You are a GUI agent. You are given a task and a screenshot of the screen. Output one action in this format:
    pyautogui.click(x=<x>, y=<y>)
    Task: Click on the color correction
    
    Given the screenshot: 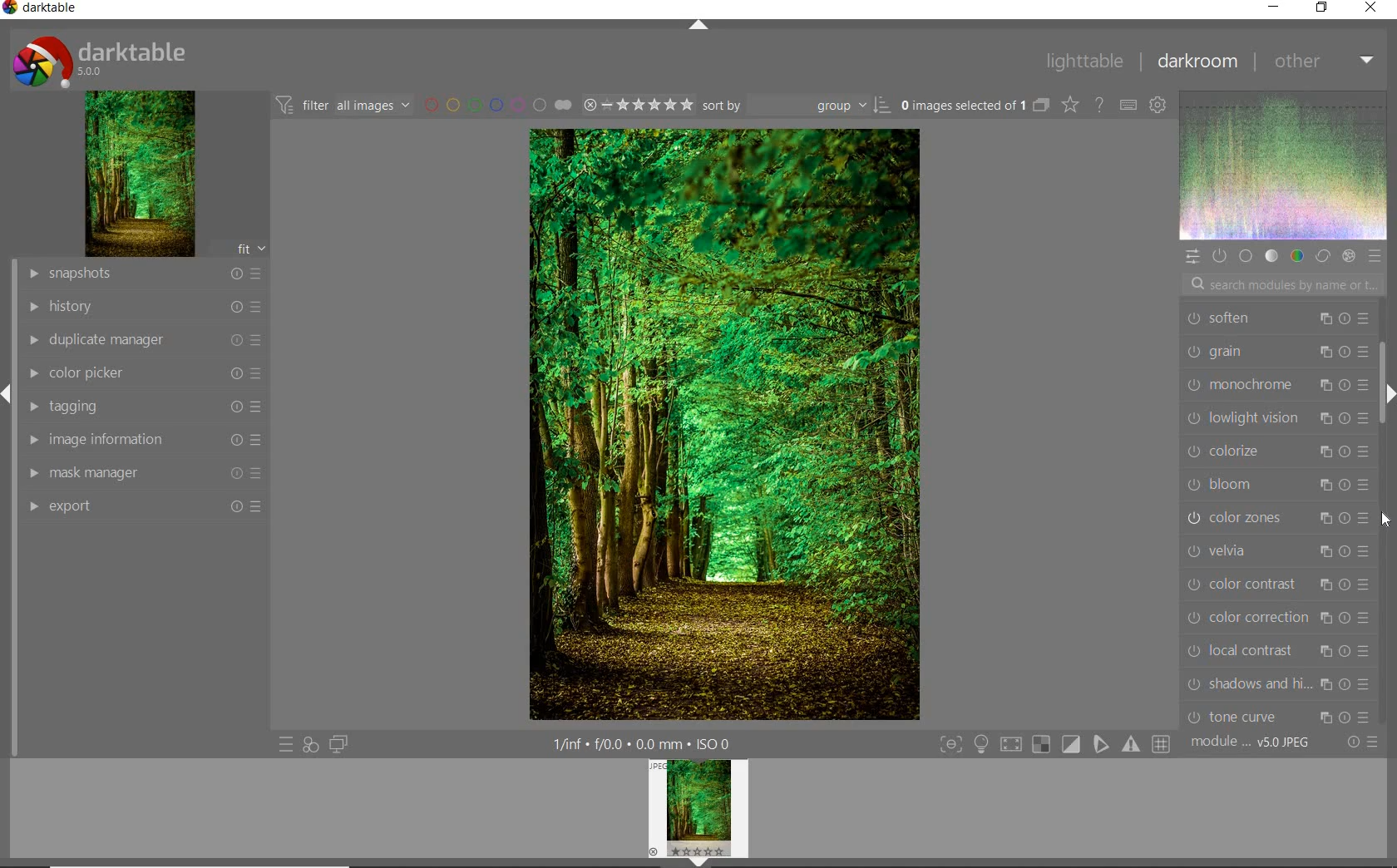 What is the action you would take?
    pyautogui.click(x=1278, y=619)
    